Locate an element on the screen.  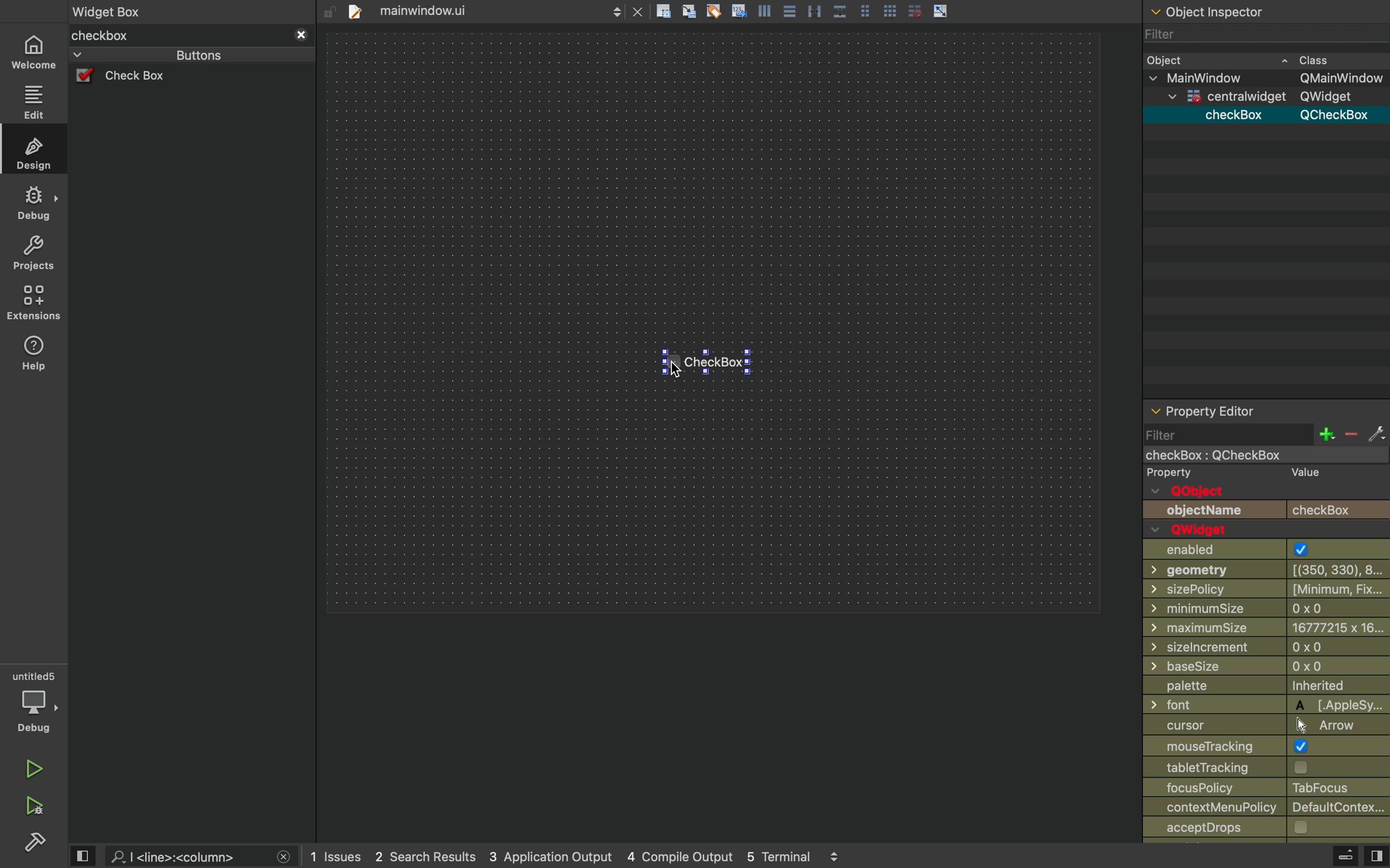
edit is located at coordinates (34, 100).